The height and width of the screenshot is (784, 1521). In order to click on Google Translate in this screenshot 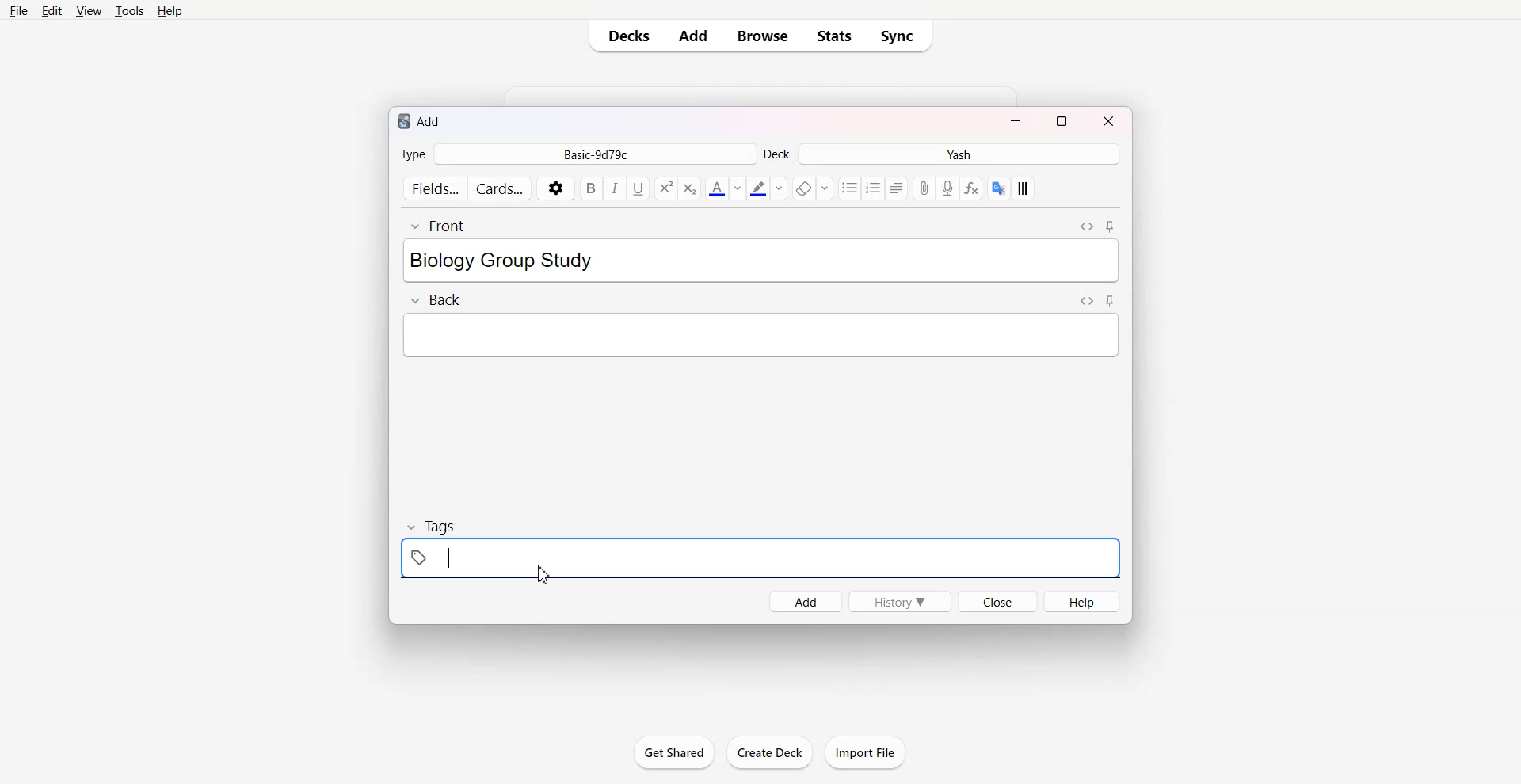, I will do `click(998, 188)`.